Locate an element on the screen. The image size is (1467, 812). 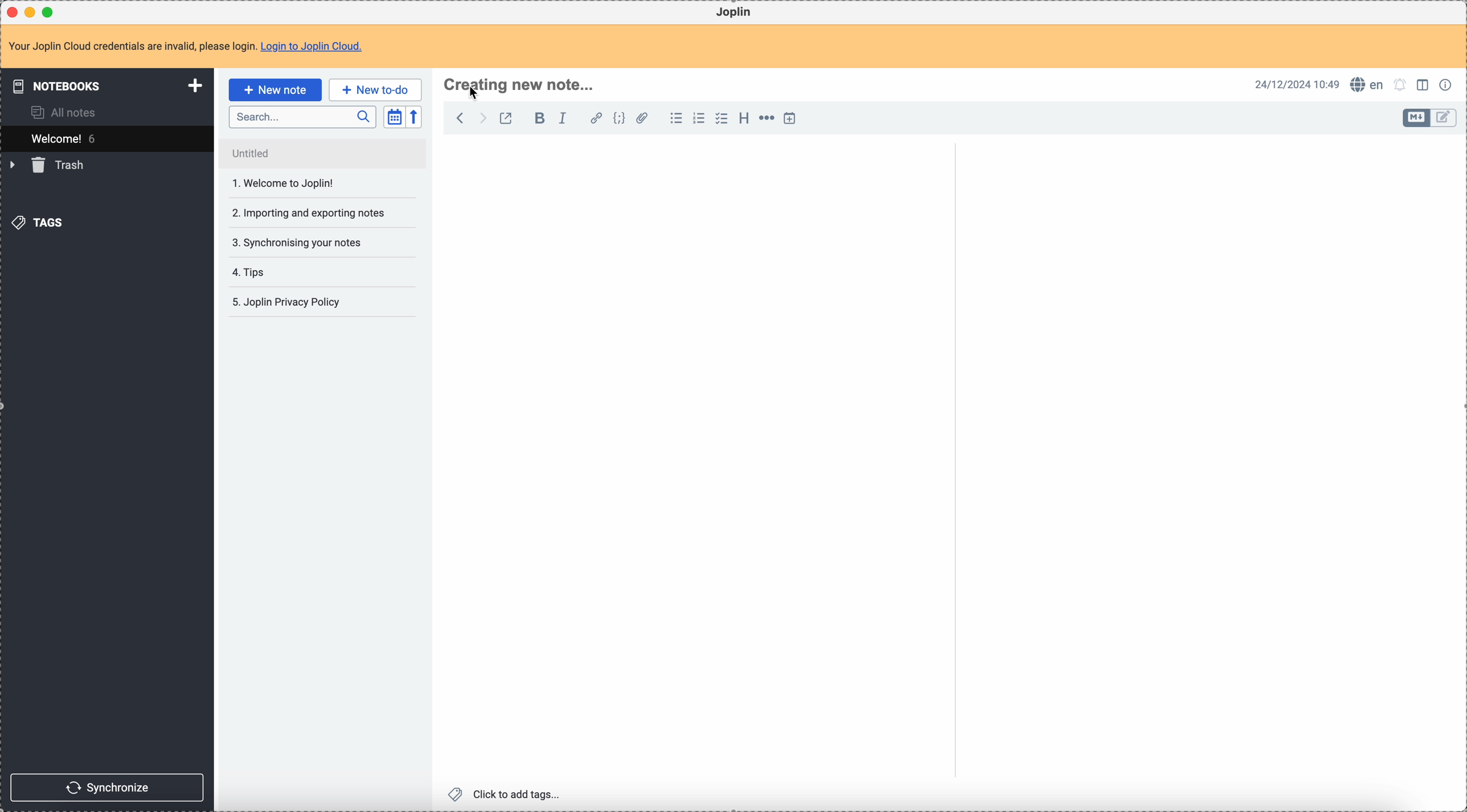
spell checker is located at coordinates (1368, 85).